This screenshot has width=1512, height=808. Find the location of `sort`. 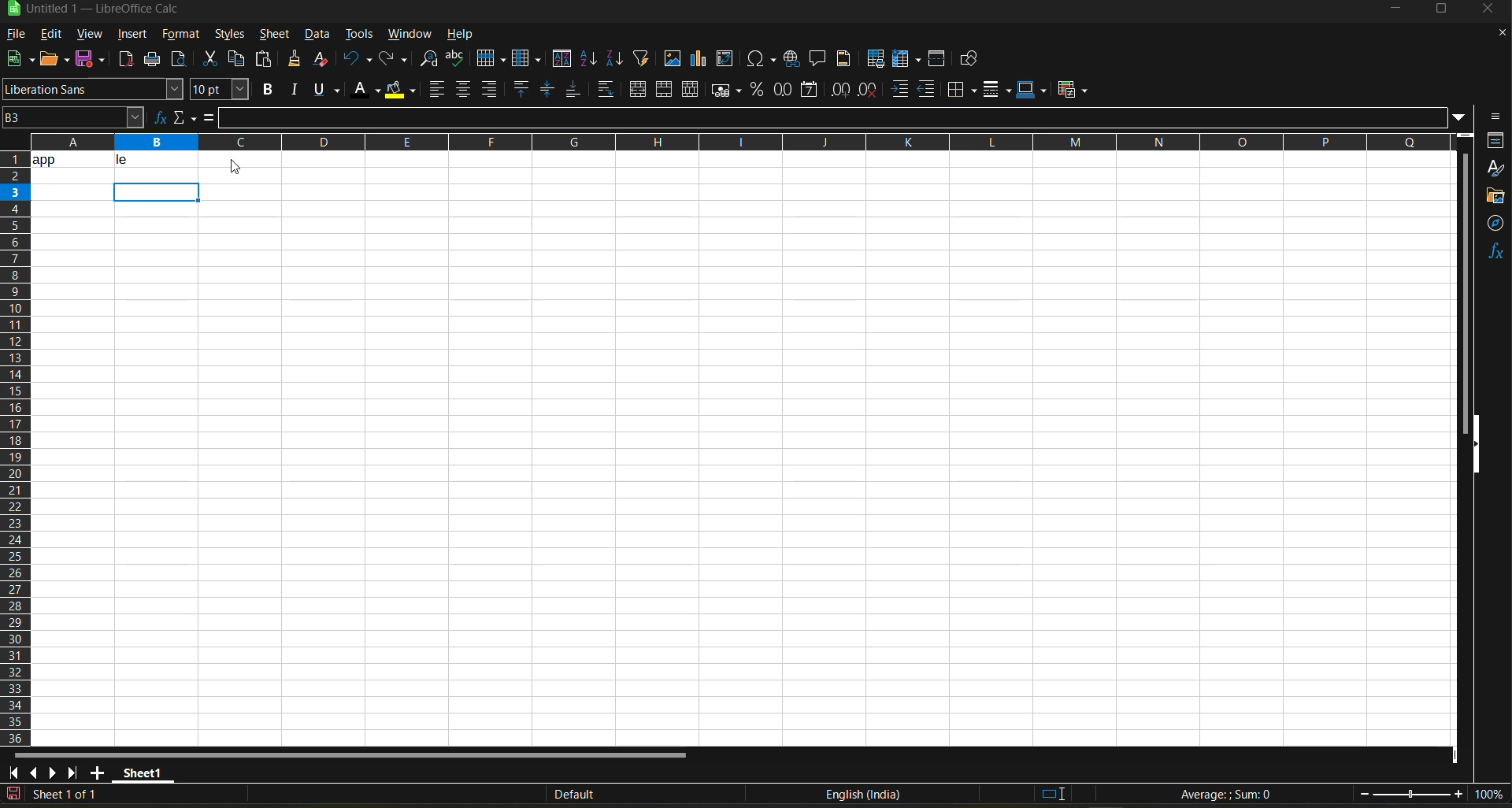

sort is located at coordinates (565, 59).